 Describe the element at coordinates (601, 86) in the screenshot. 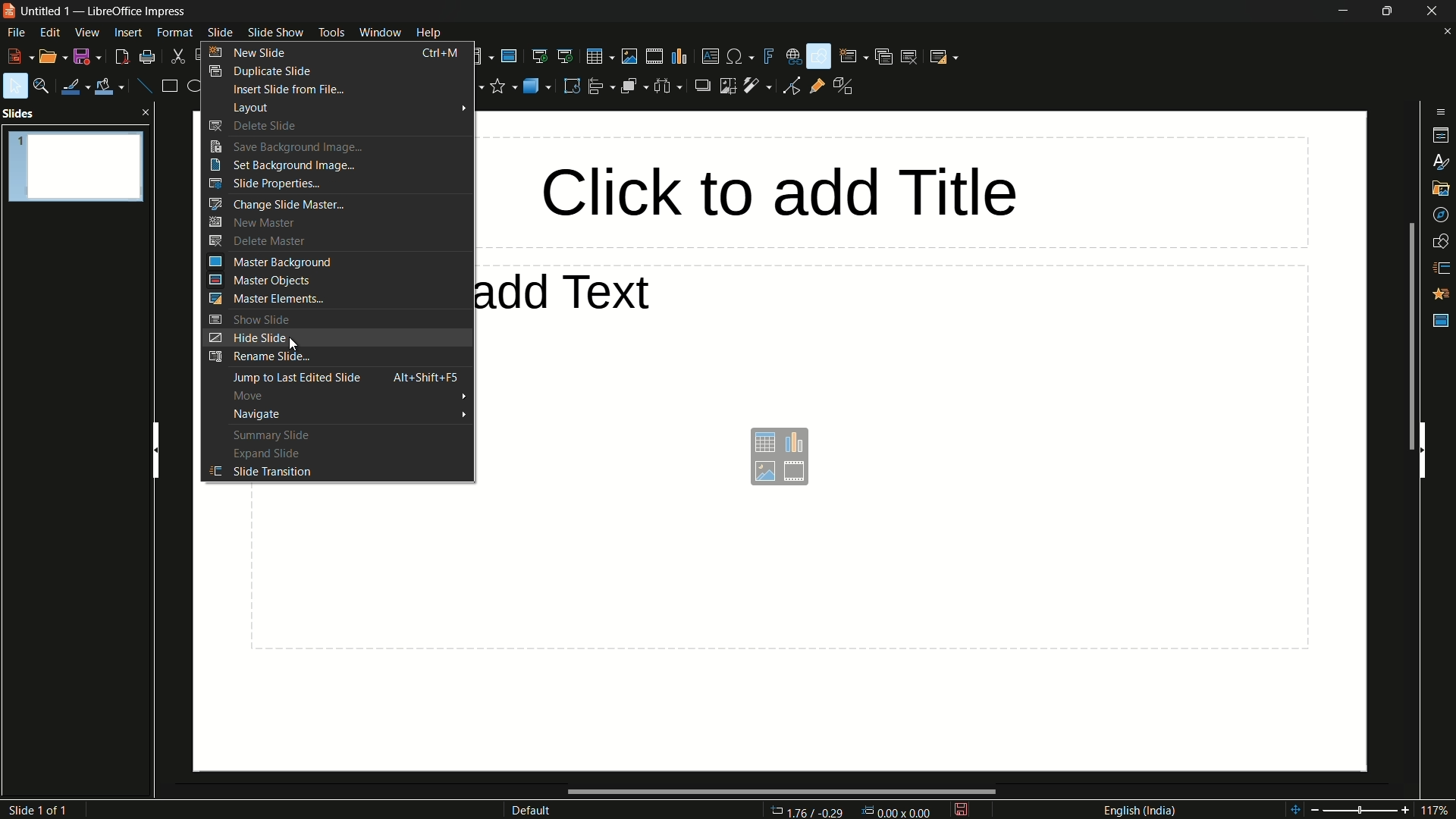

I see `align objects` at that location.